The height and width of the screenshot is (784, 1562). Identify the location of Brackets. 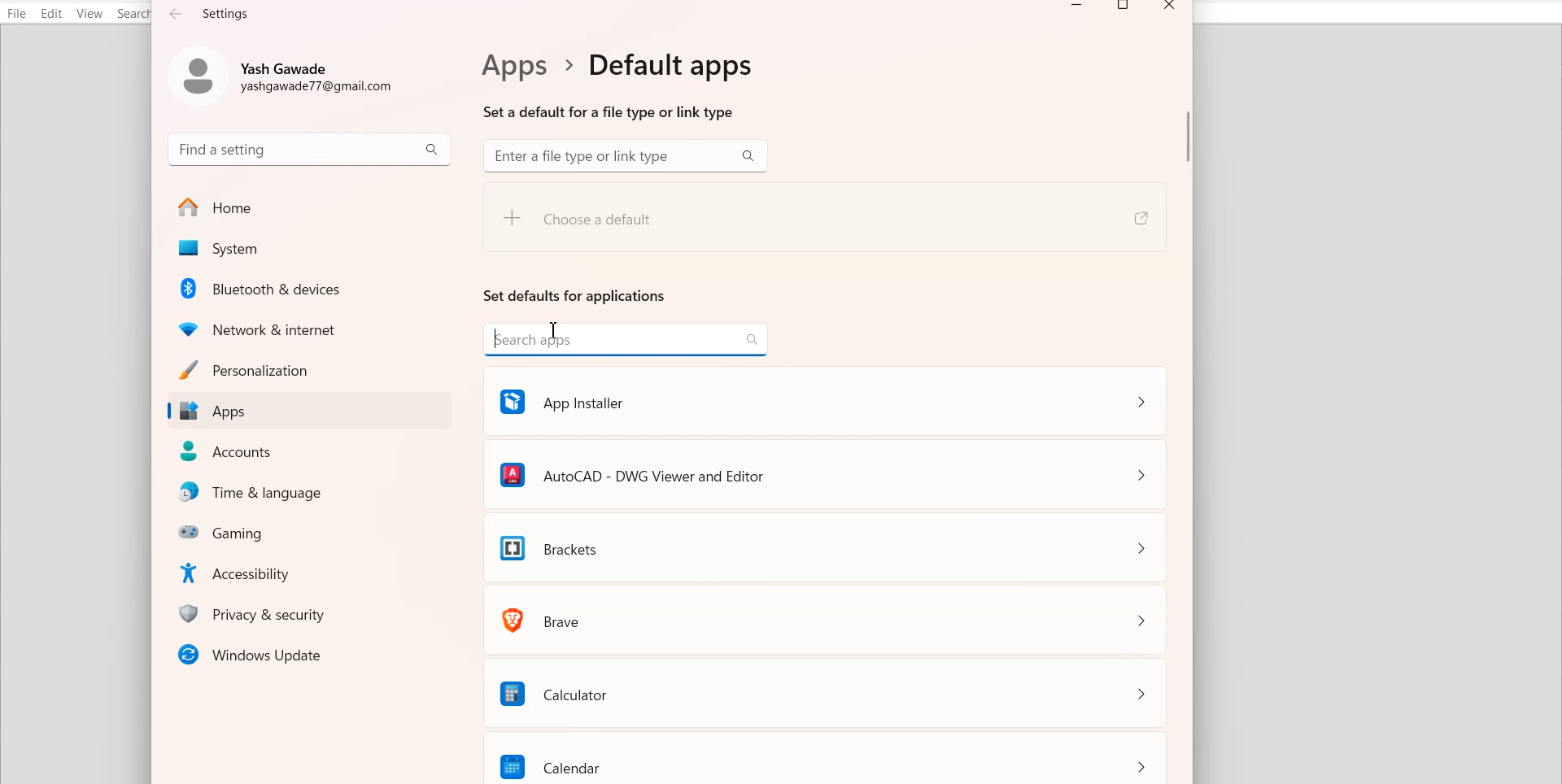
(827, 547).